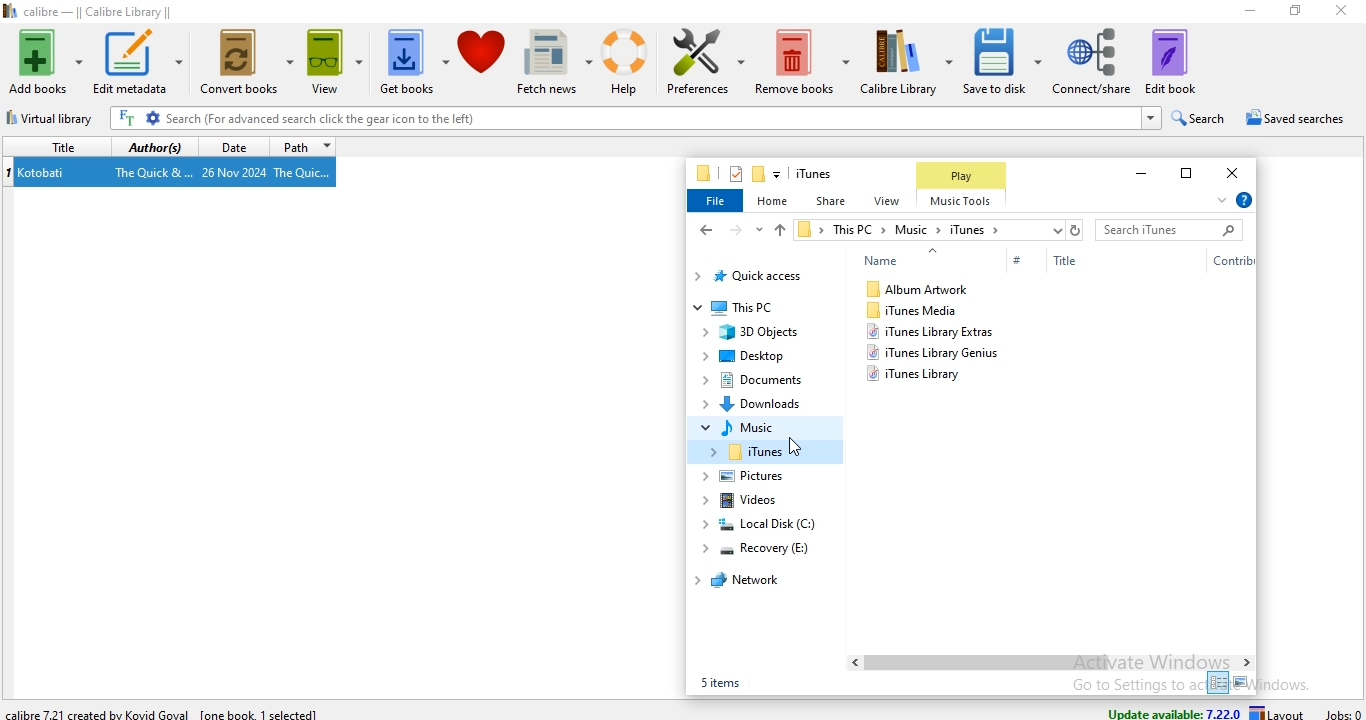  I want to click on Search (For advanced search click the gear icon to the left), so click(635, 118).